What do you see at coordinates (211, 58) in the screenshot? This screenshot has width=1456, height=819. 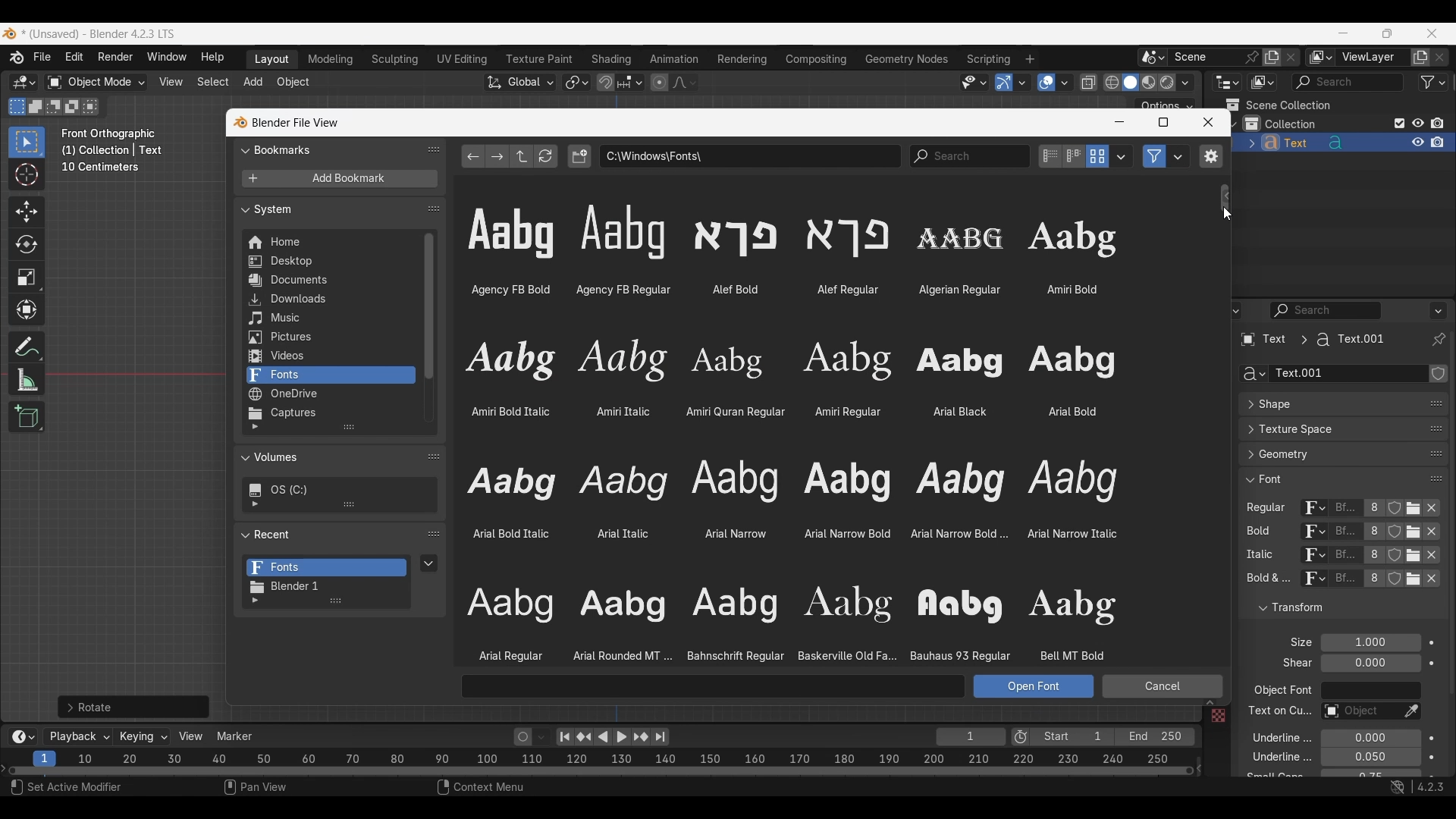 I see `Help menu` at bounding box center [211, 58].